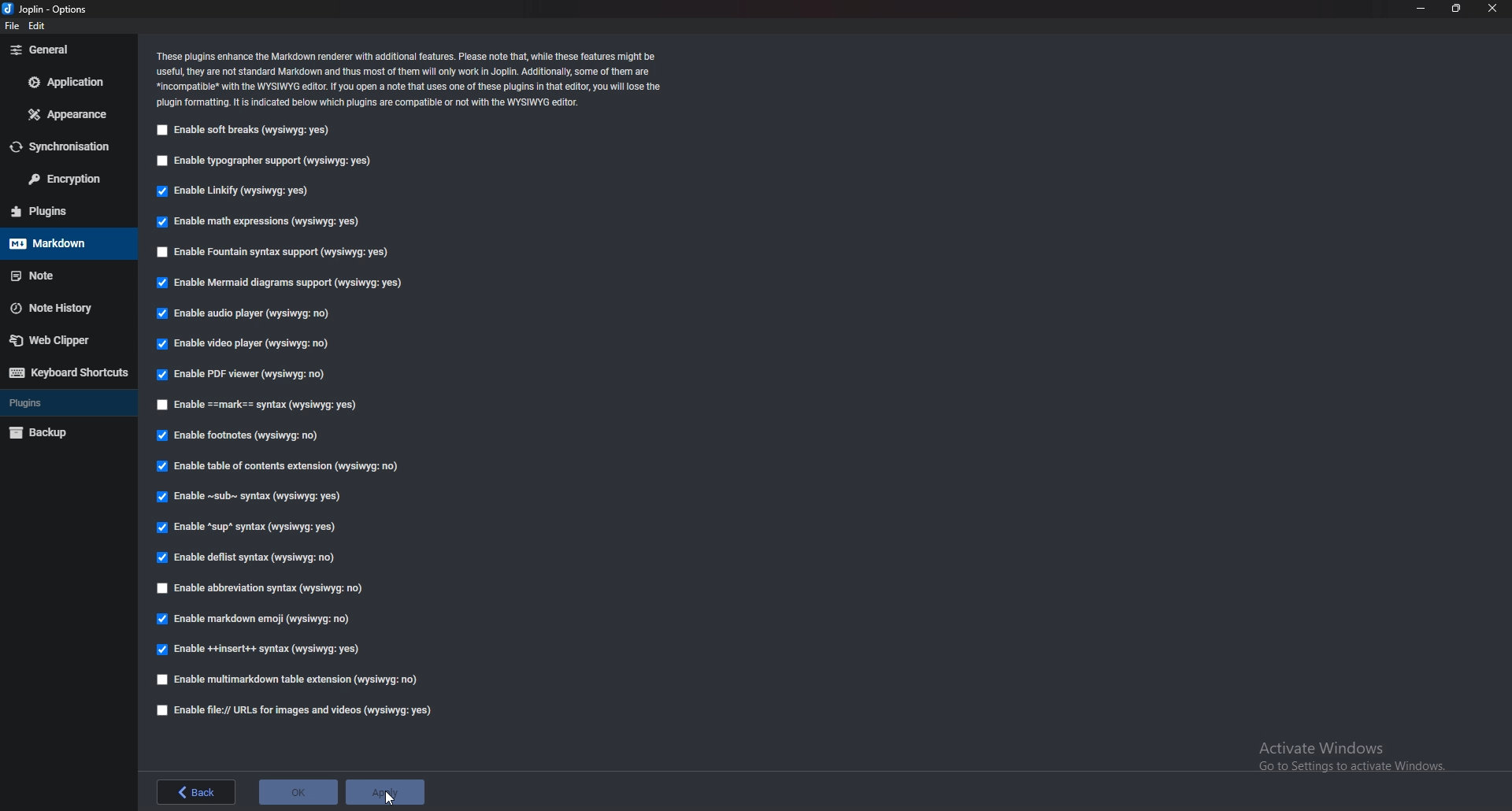 This screenshot has height=811, width=1512. What do you see at coordinates (272, 406) in the screenshot?
I see `enable Mark Syntax` at bounding box center [272, 406].